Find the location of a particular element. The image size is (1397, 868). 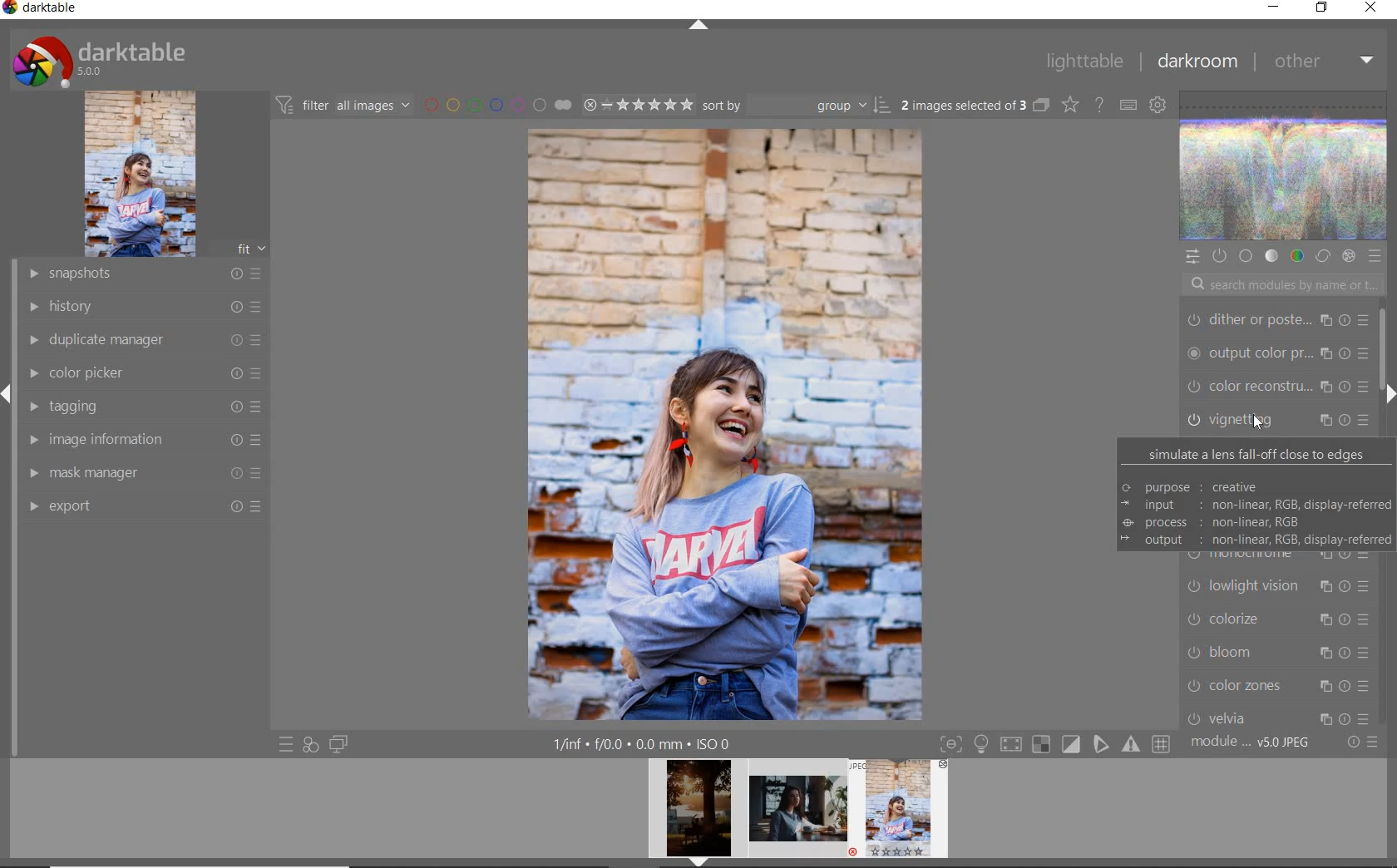

haze removal is located at coordinates (1276, 649).